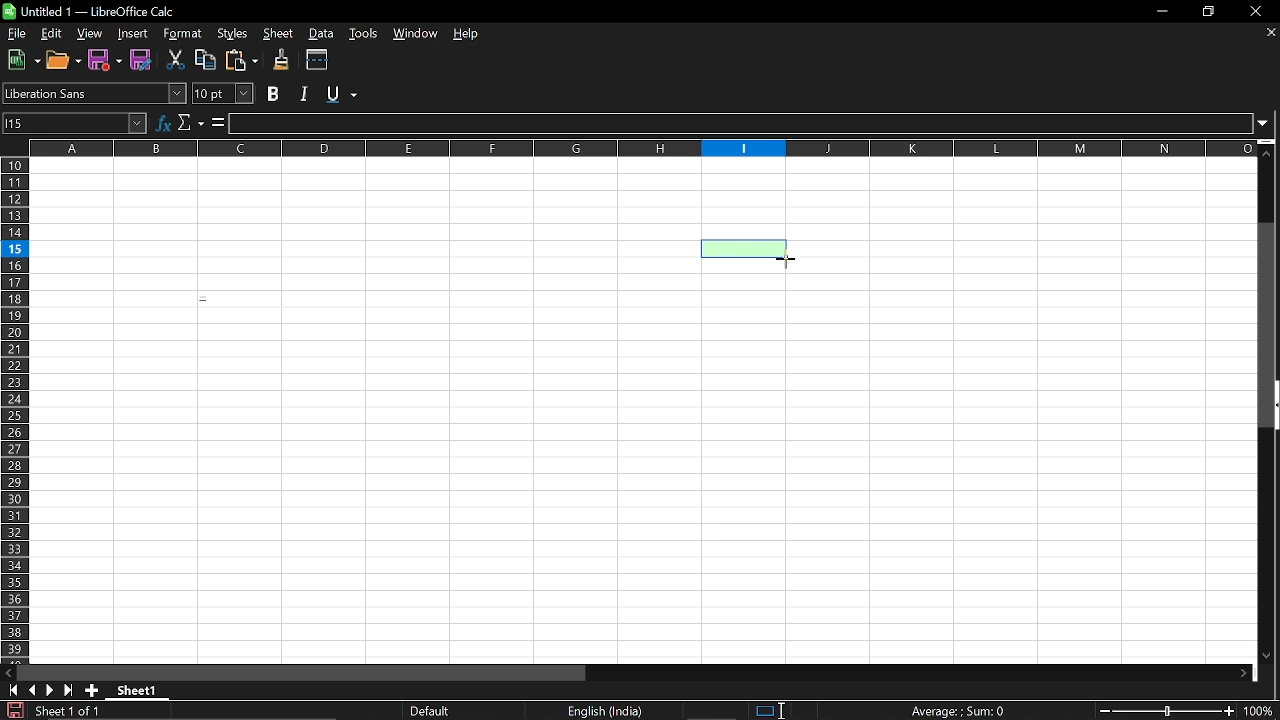  Describe the element at coordinates (105, 60) in the screenshot. I see `Save as` at that location.